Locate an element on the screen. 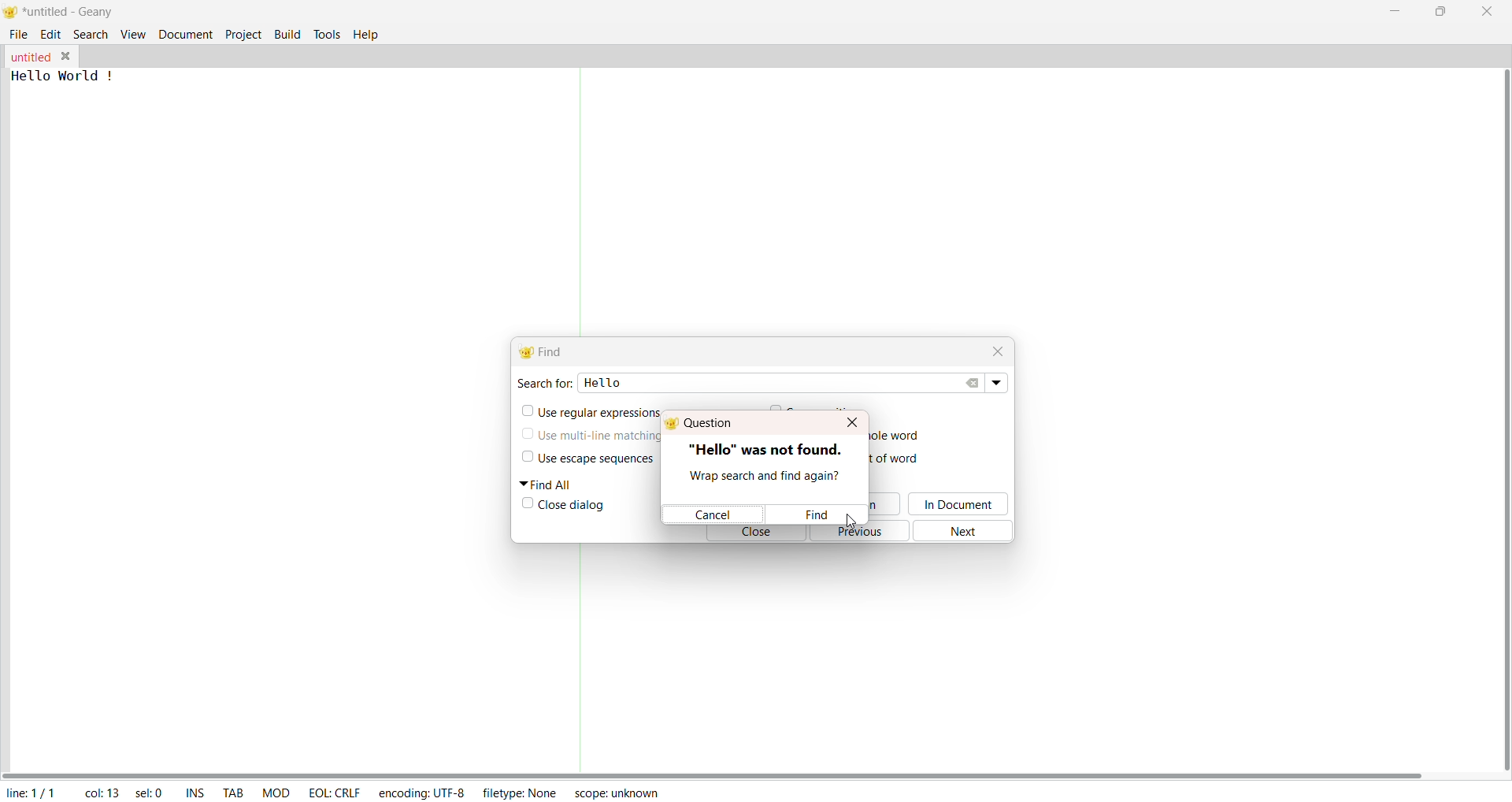 This screenshot has height=802, width=1512. File Name is located at coordinates (29, 58).